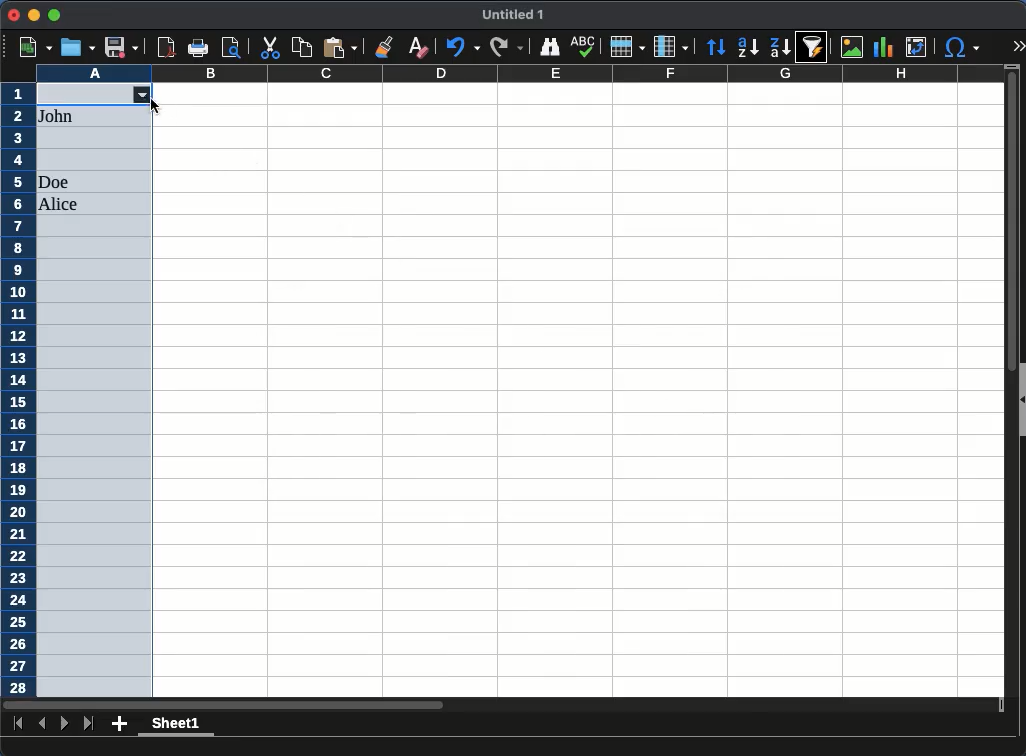 This screenshot has height=756, width=1026. Describe the element at coordinates (83, 95) in the screenshot. I see `cell selected` at that location.